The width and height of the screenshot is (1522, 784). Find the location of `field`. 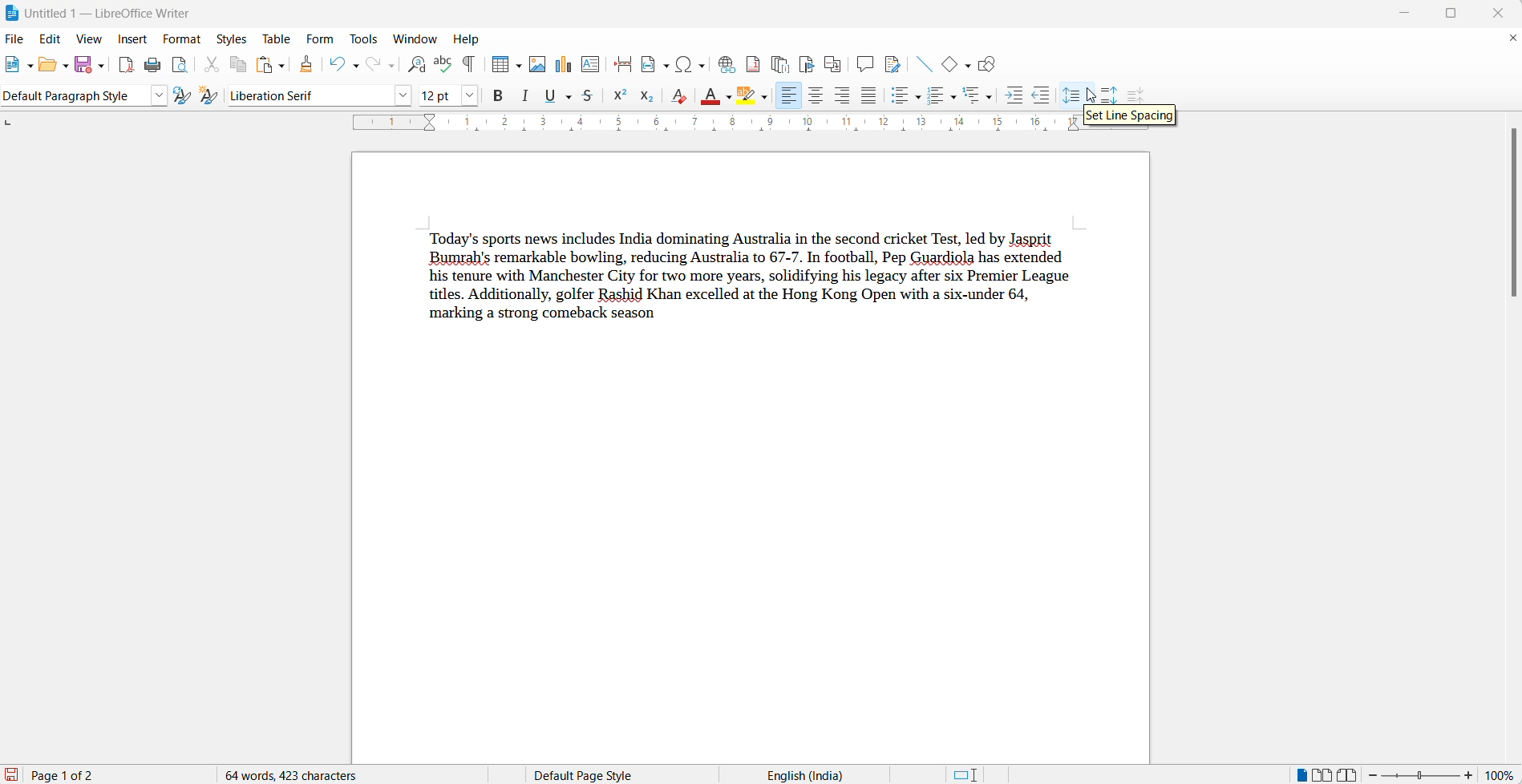

field is located at coordinates (654, 65).